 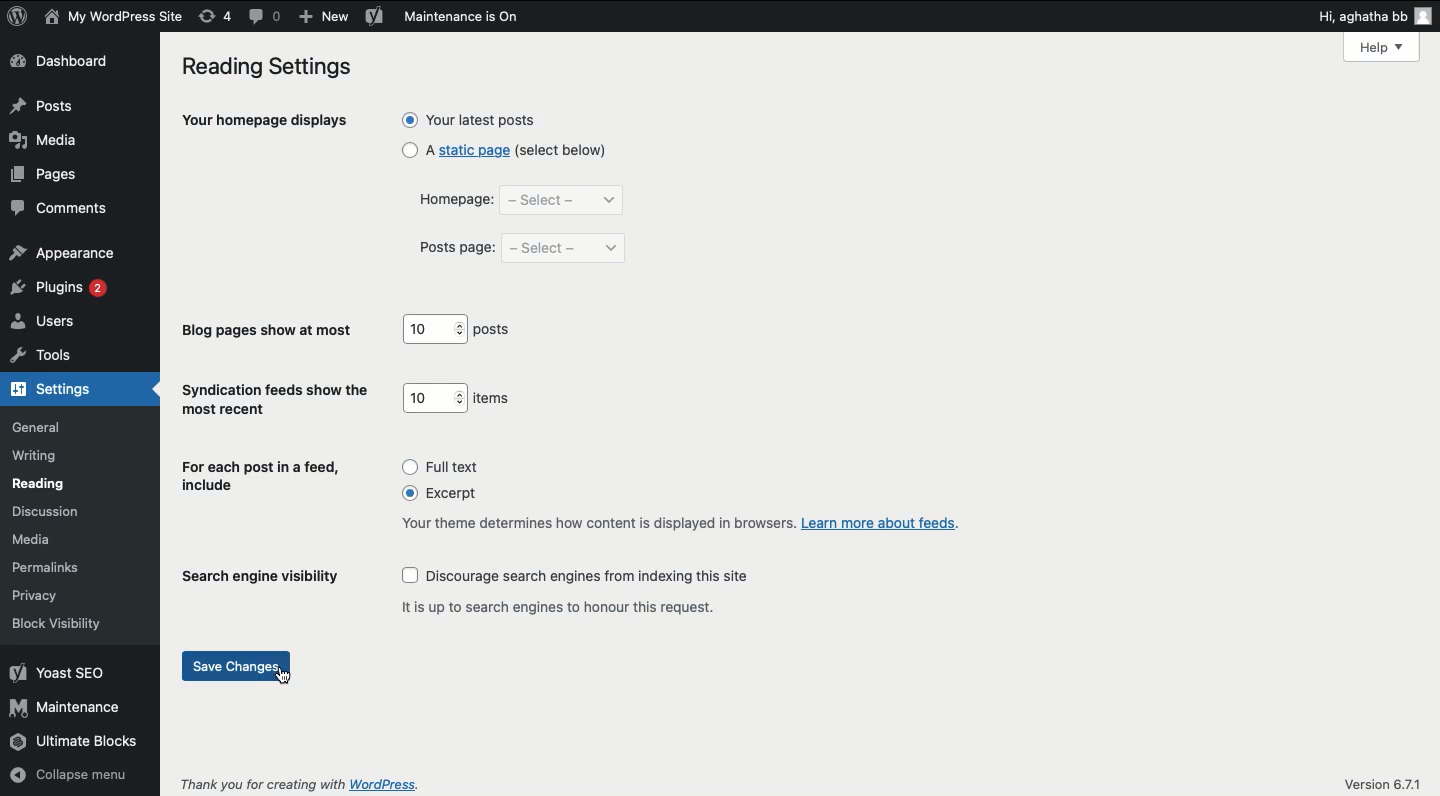 What do you see at coordinates (58, 286) in the screenshot?
I see `plugins 2` at bounding box center [58, 286].